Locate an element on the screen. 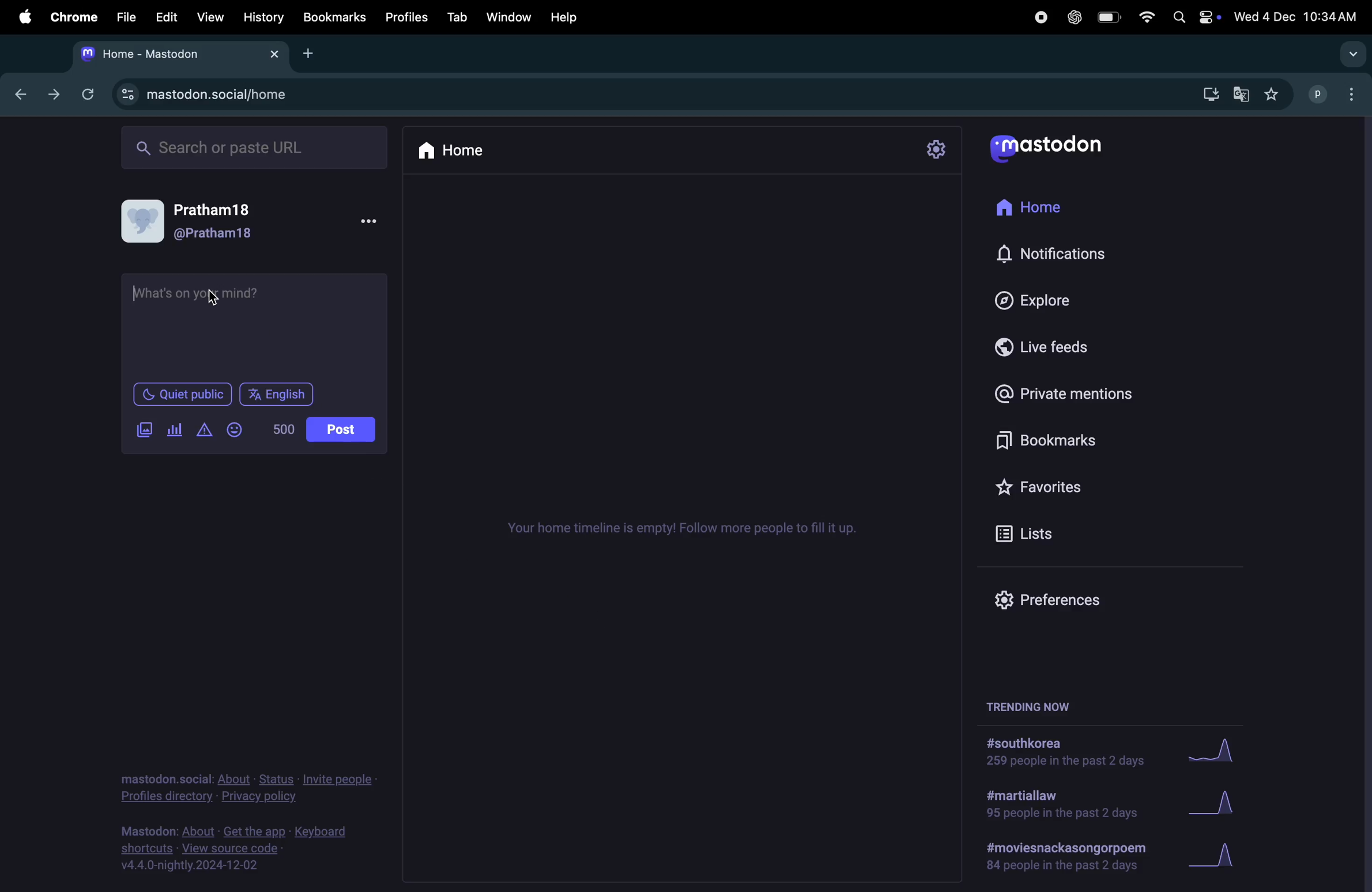 The height and width of the screenshot is (892, 1372). user profile is located at coordinates (205, 221).